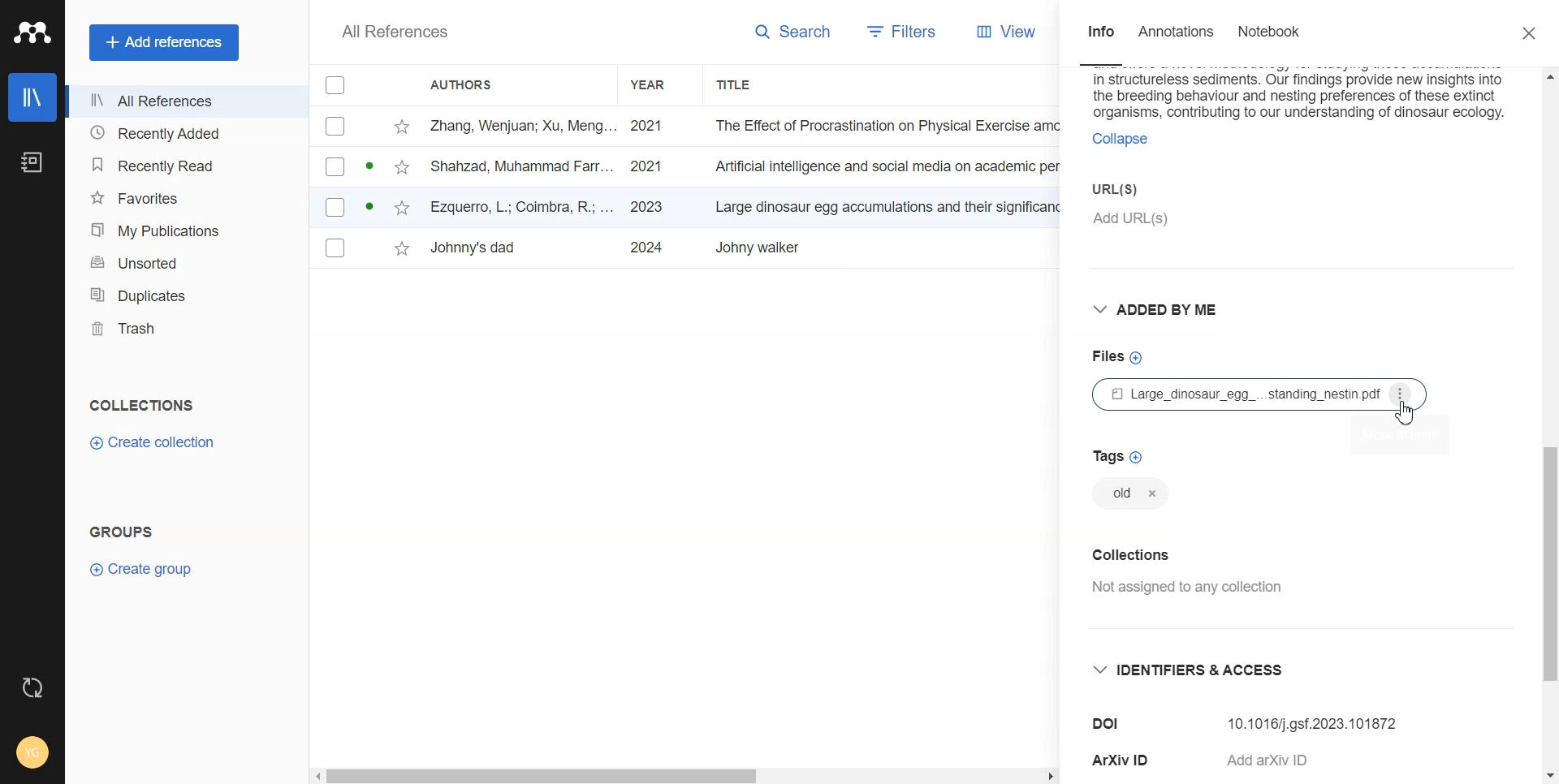 This screenshot has height=784, width=1559. What do you see at coordinates (402, 206) in the screenshot?
I see `Toggle favorites` at bounding box center [402, 206].